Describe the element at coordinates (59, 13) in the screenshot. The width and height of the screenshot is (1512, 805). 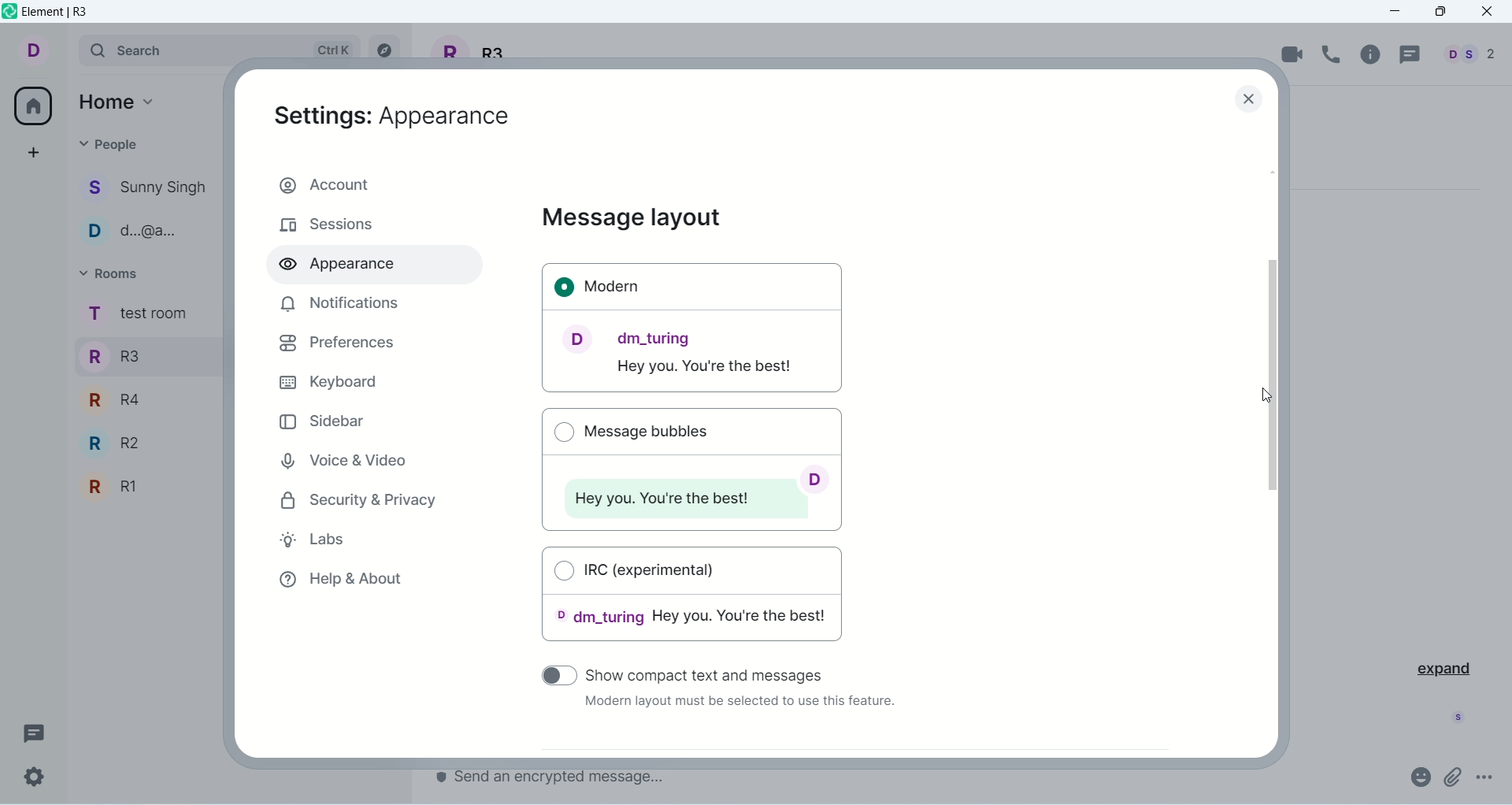
I see `element` at that location.